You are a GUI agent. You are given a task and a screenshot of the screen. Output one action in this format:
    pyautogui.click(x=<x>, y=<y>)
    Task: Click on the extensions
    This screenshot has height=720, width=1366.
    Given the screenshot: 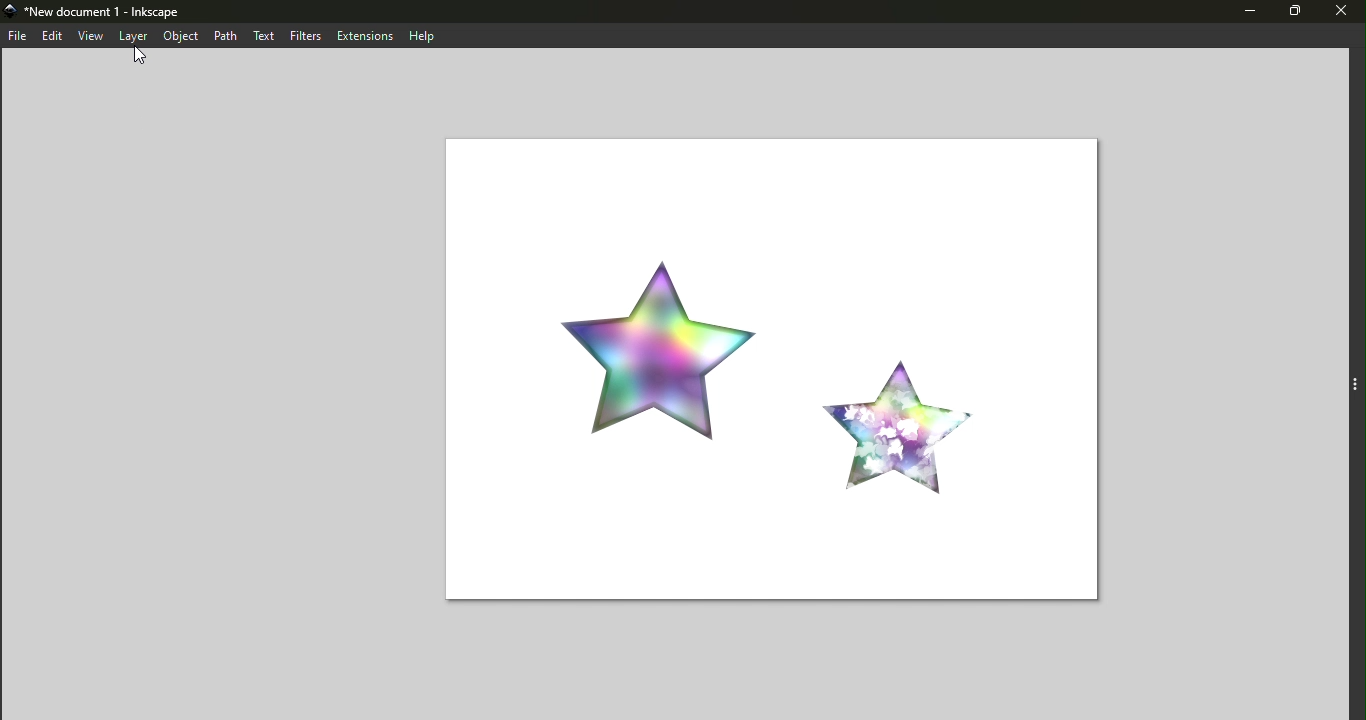 What is the action you would take?
    pyautogui.click(x=363, y=35)
    